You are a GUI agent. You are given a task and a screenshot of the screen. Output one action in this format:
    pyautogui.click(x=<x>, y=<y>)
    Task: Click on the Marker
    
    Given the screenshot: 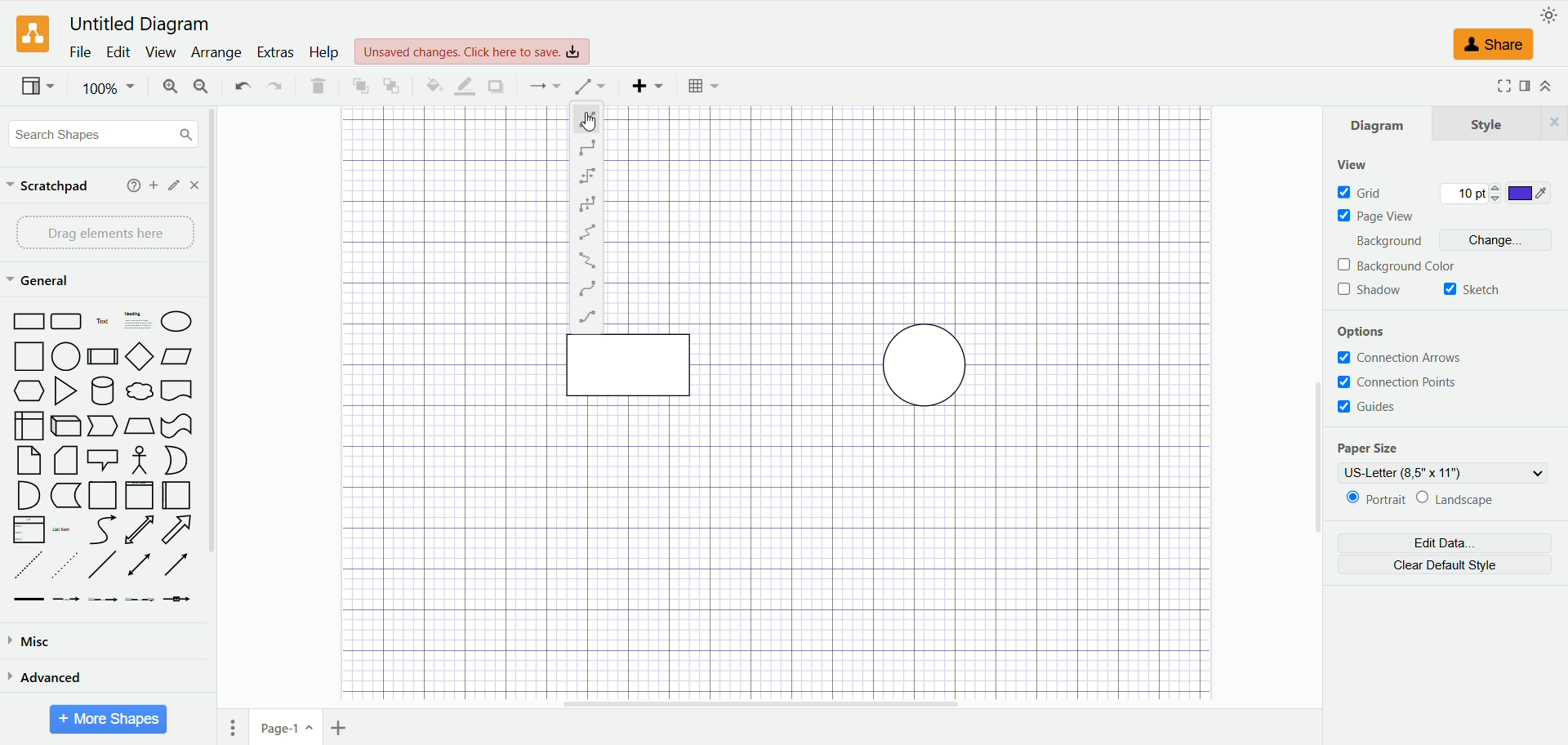 What is the action you would take?
    pyautogui.click(x=65, y=497)
    